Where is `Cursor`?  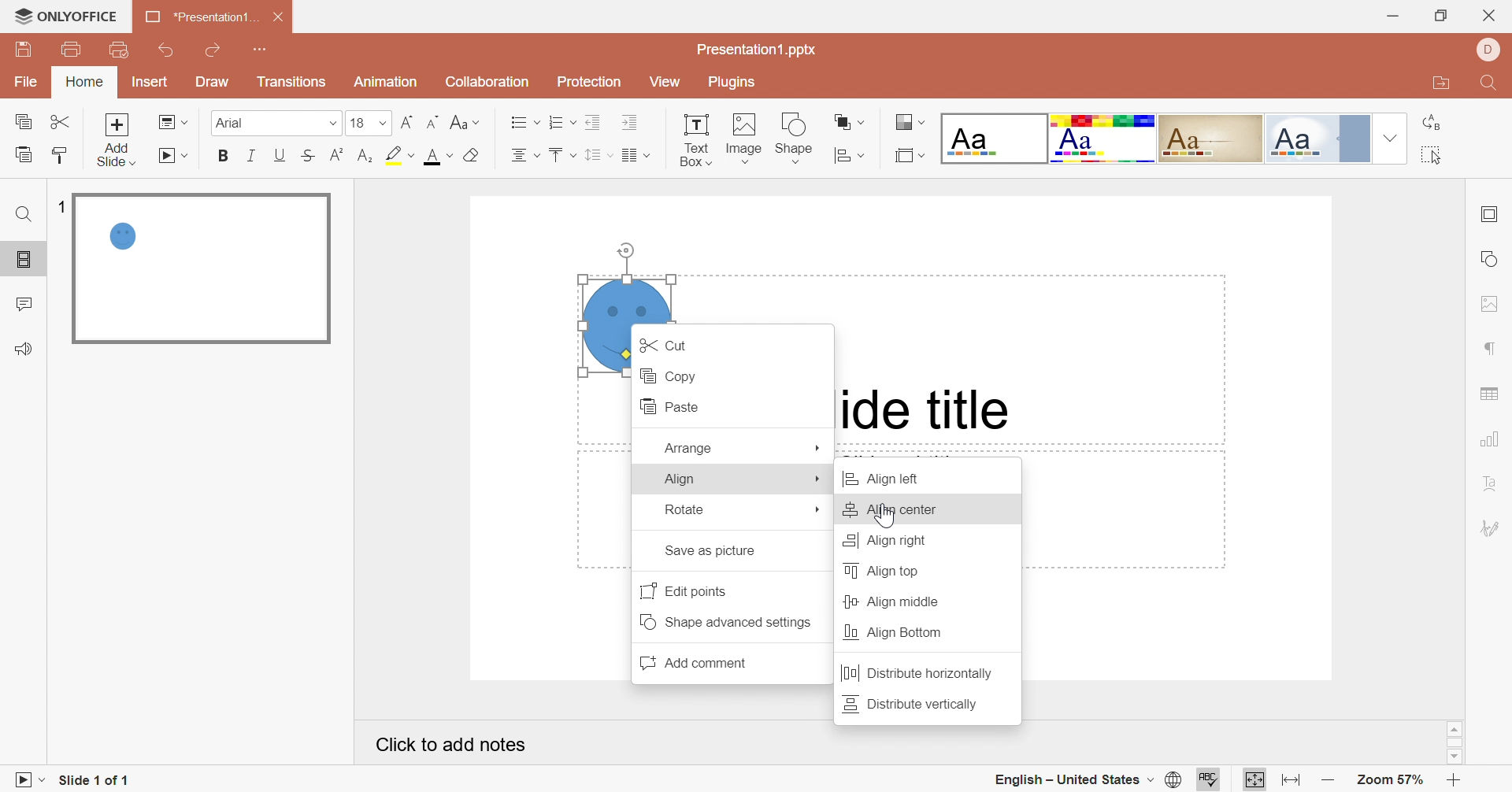 Cursor is located at coordinates (885, 519).